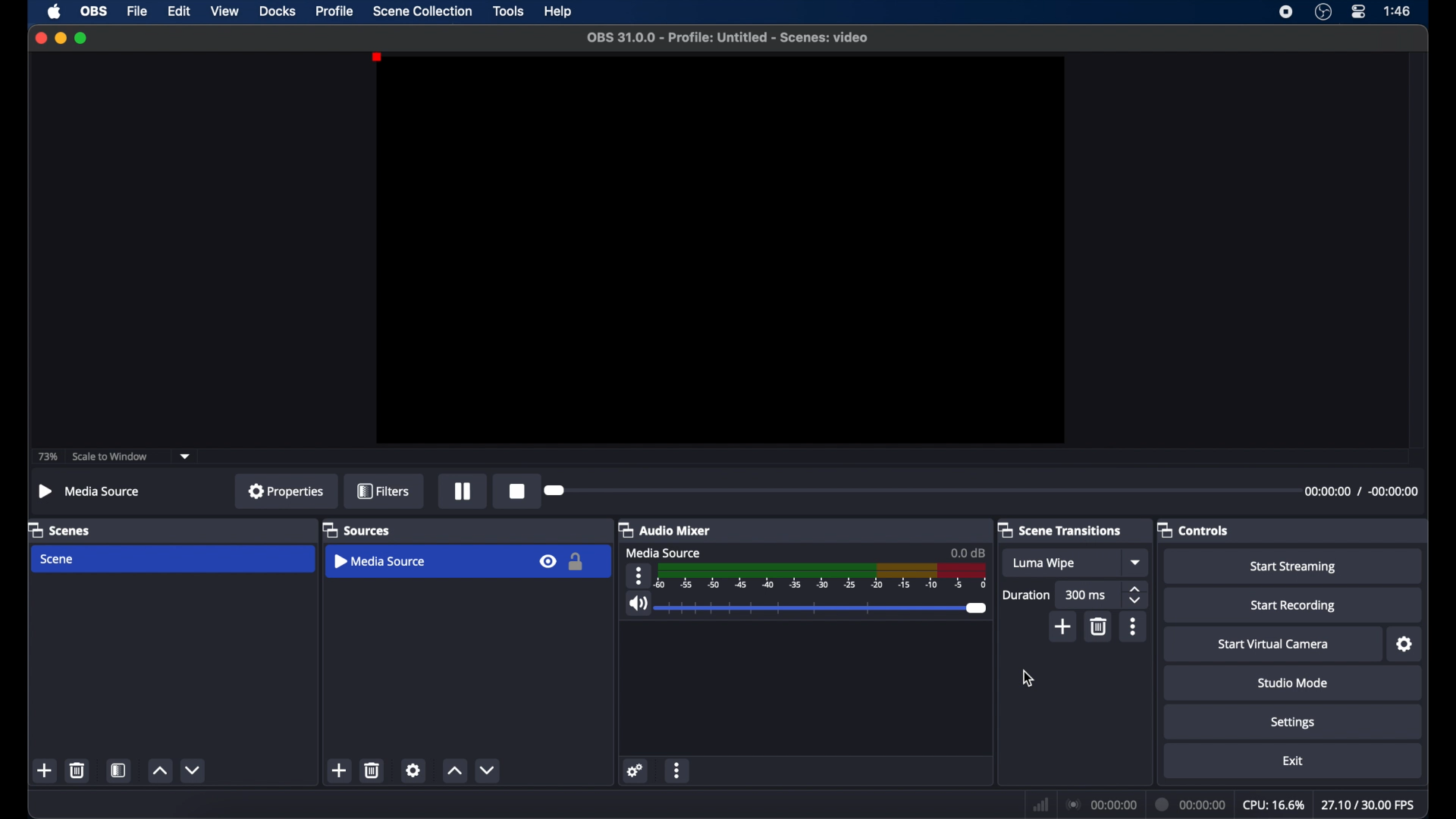 This screenshot has height=819, width=1456. I want to click on scene filters, so click(118, 770).